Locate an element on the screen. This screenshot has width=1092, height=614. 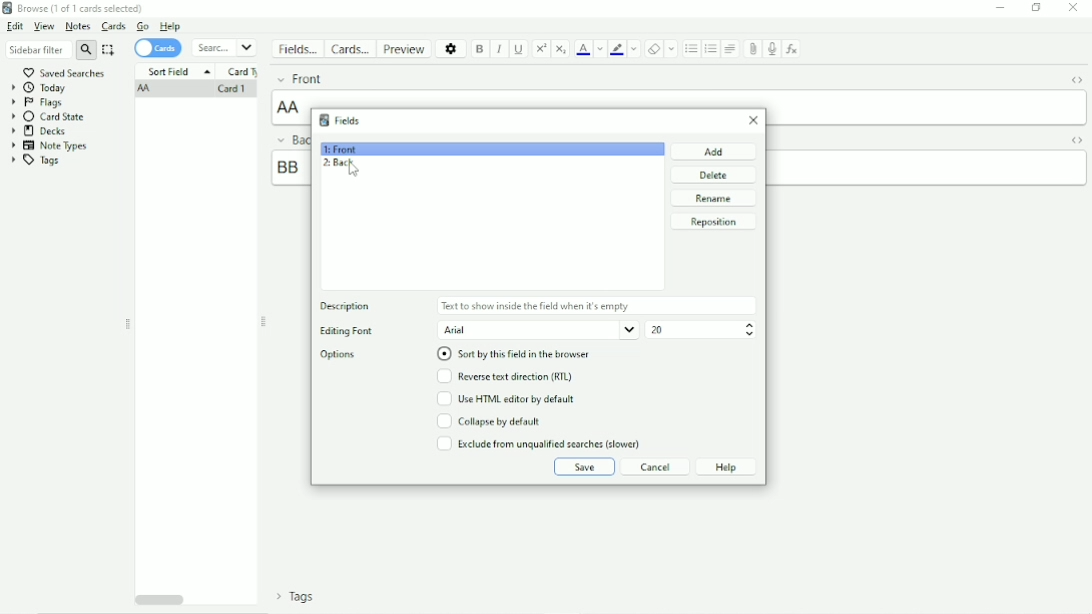
Reverse text direction (RTL) is located at coordinates (504, 376).